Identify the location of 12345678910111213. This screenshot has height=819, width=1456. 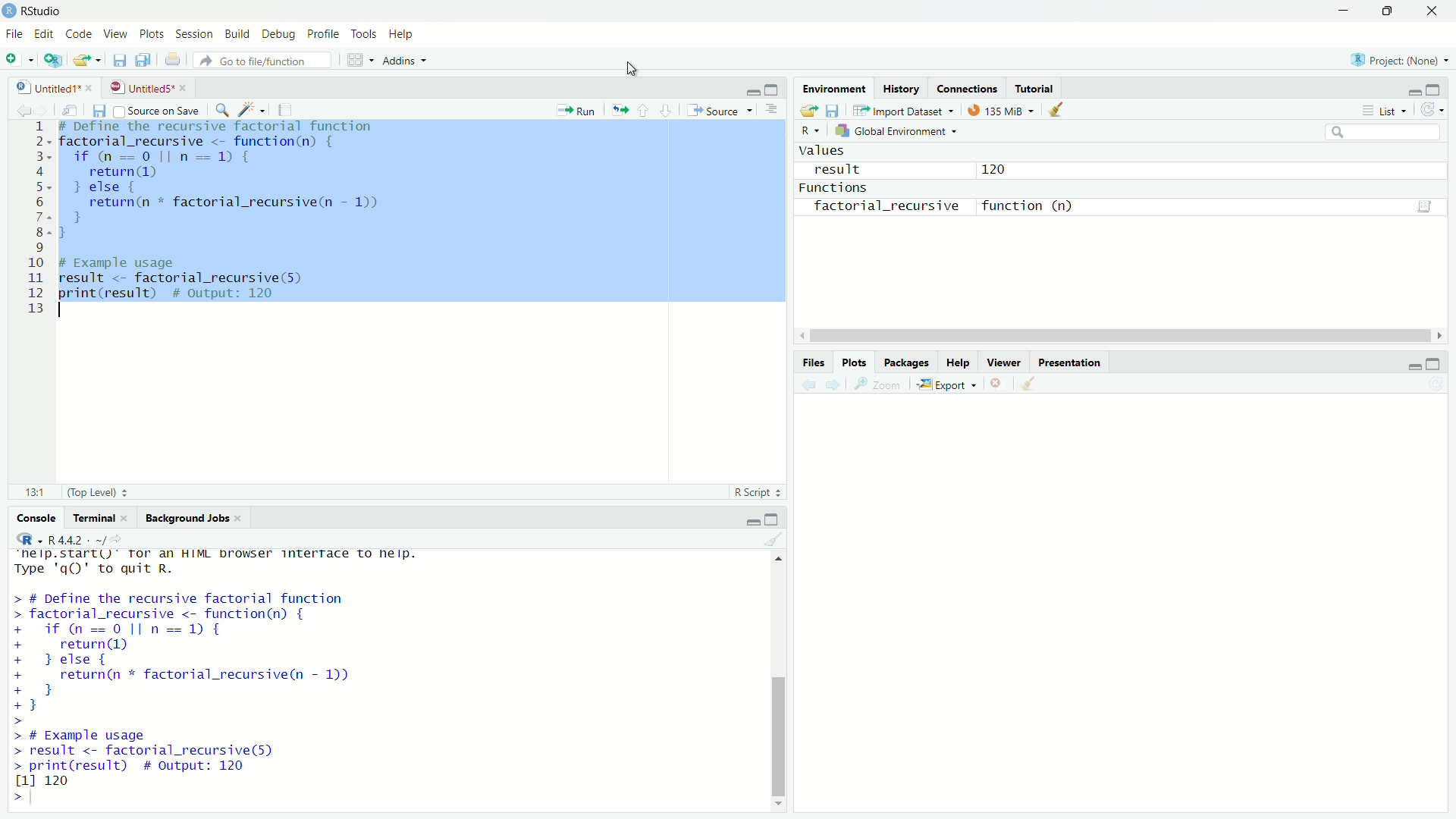
(35, 214).